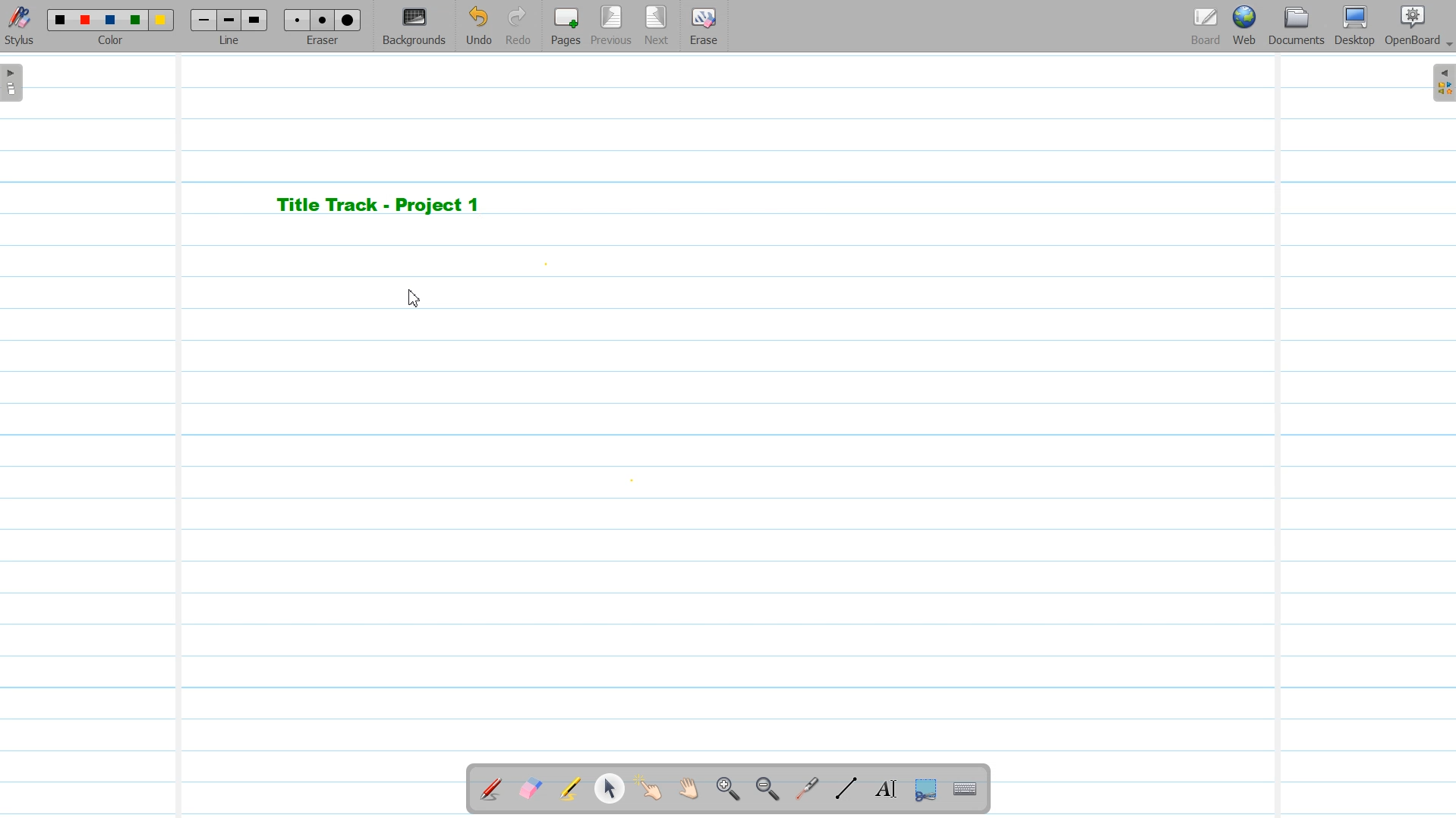 This screenshot has width=1456, height=818. What do you see at coordinates (564, 26) in the screenshot?
I see `Pages` at bounding box center [564, 26].